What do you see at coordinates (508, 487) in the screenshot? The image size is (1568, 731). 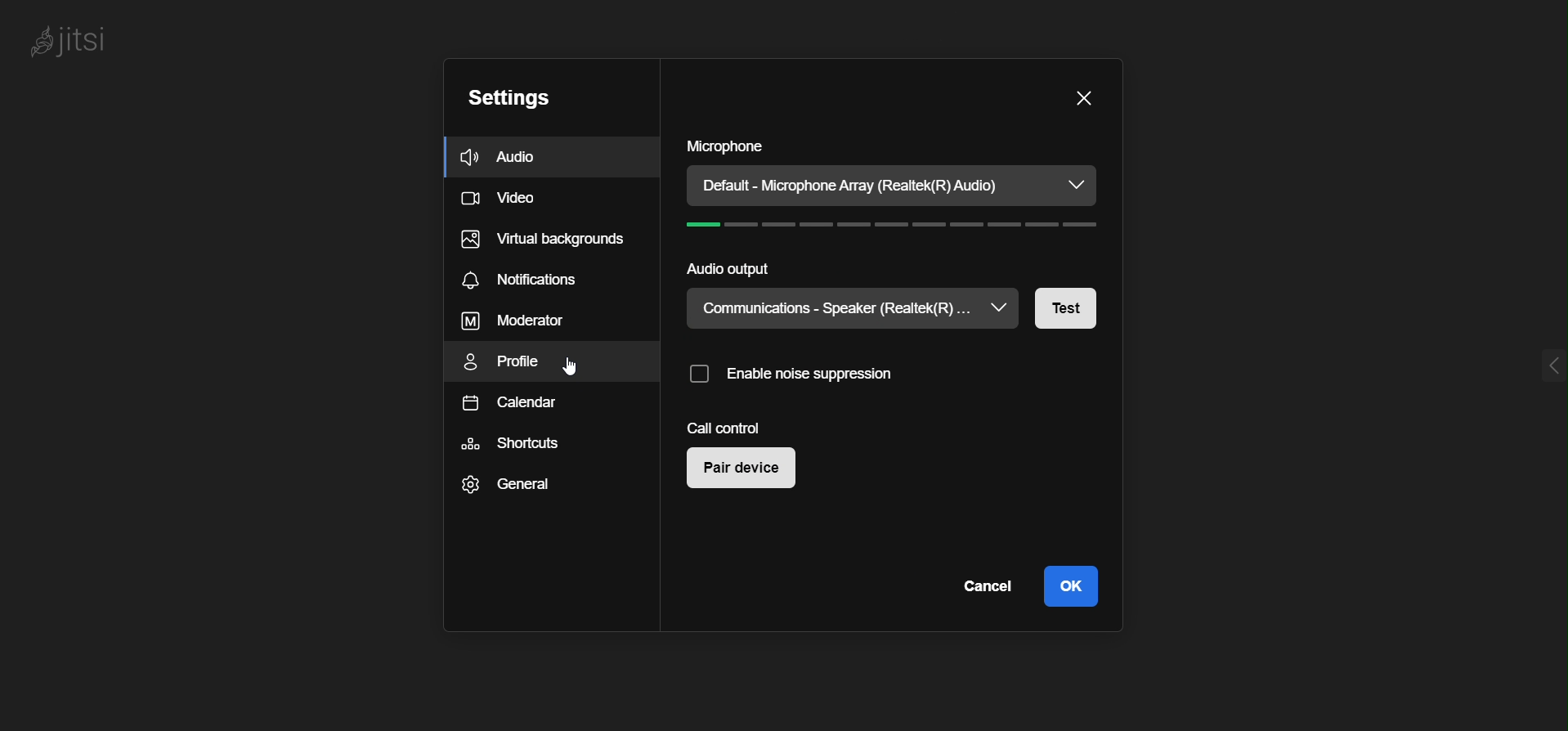 I see `general` at bounding box center [508, 487].